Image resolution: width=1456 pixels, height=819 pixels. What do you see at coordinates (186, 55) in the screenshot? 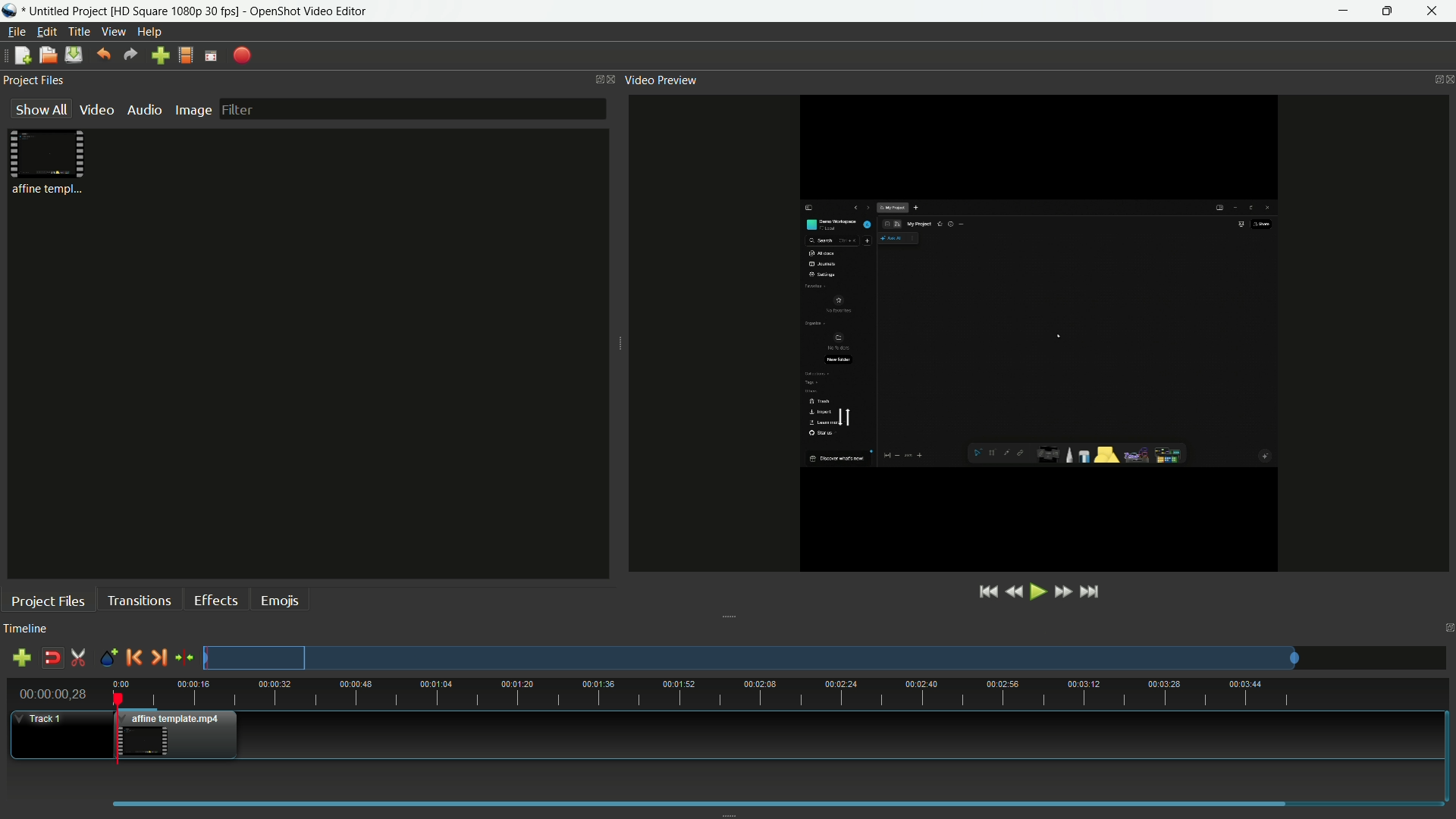
I see `profile` at bounding box center [186, 55].